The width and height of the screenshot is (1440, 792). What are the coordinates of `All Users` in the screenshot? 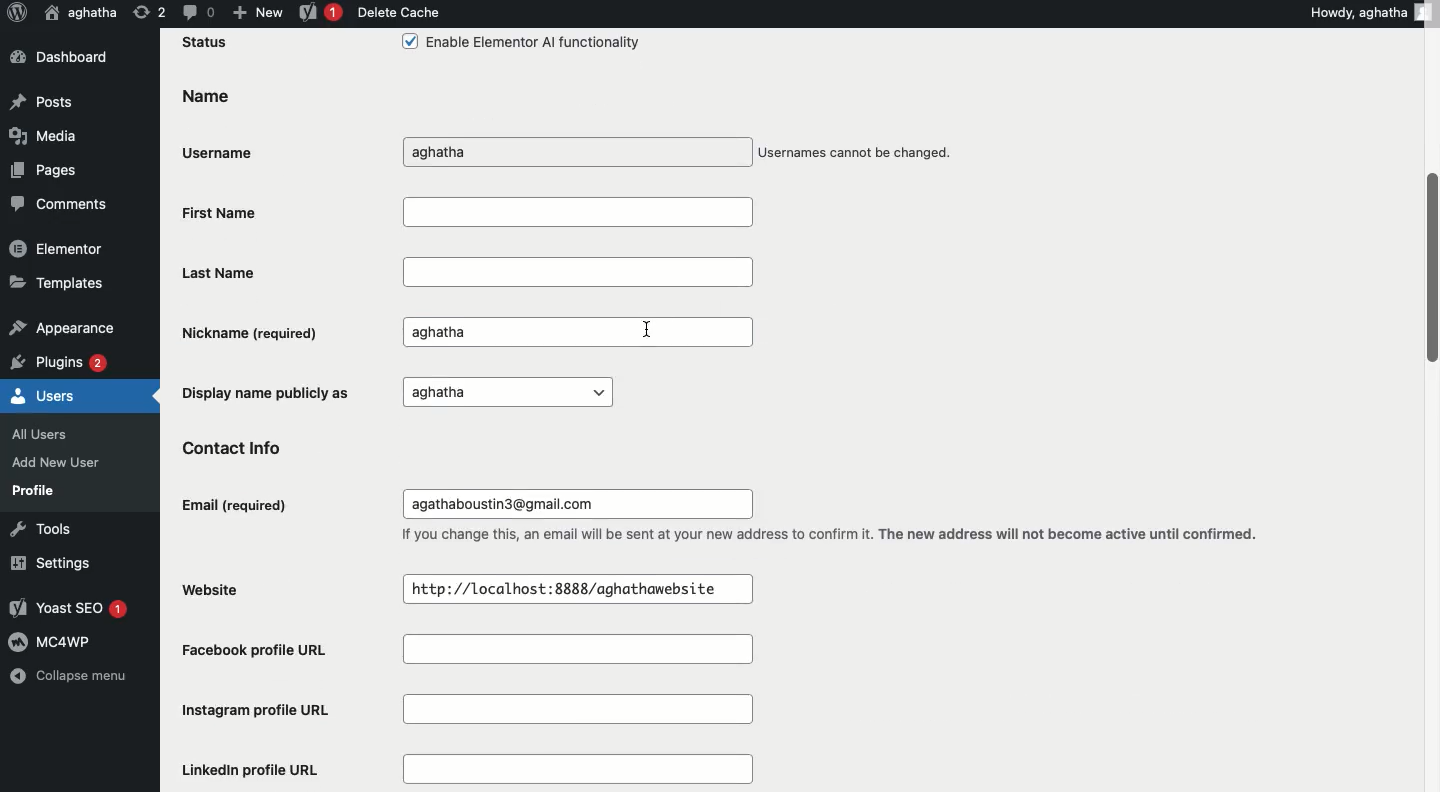 It's located at (50, 432).